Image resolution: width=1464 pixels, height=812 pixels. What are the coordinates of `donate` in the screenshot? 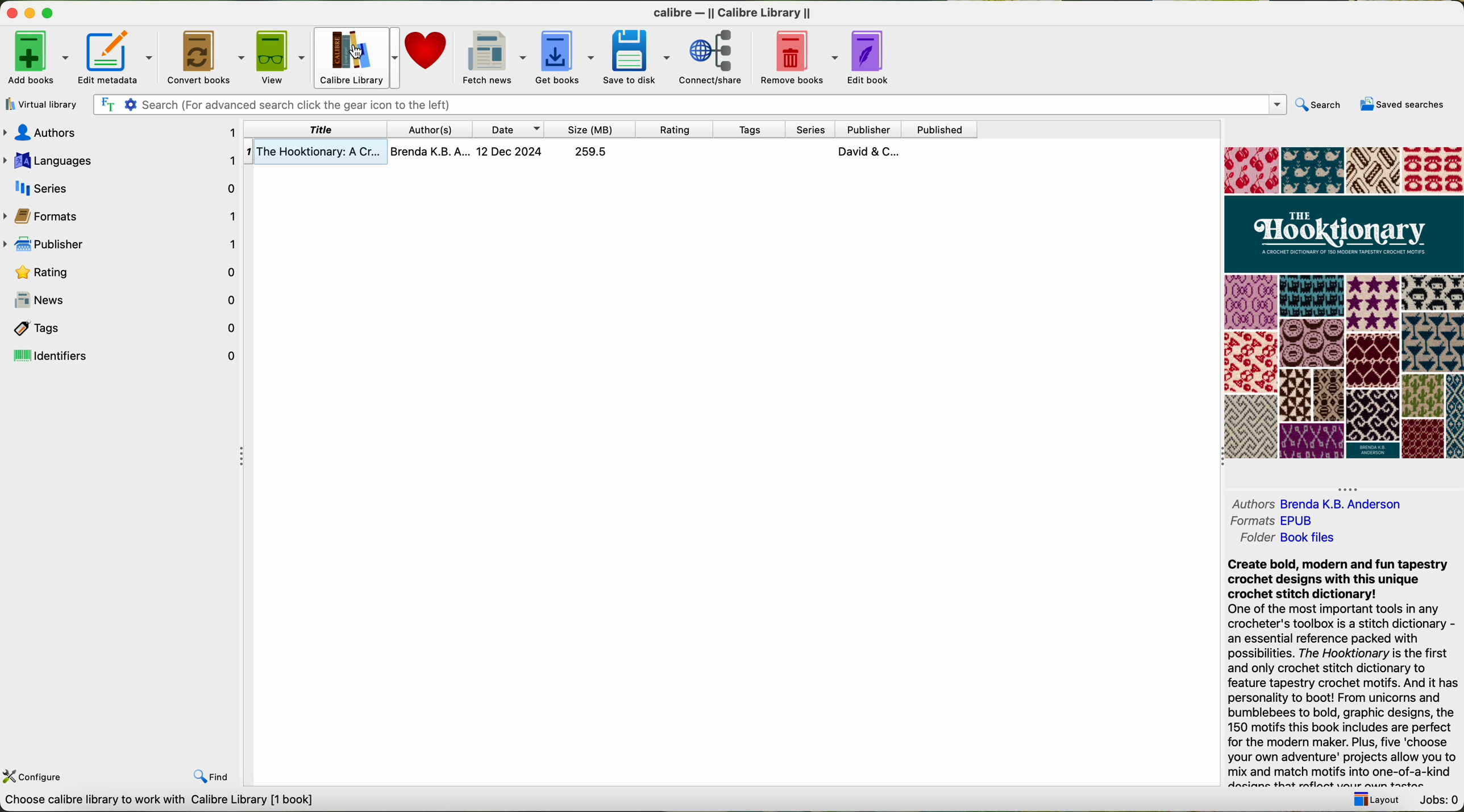 It's located at (429, 55).